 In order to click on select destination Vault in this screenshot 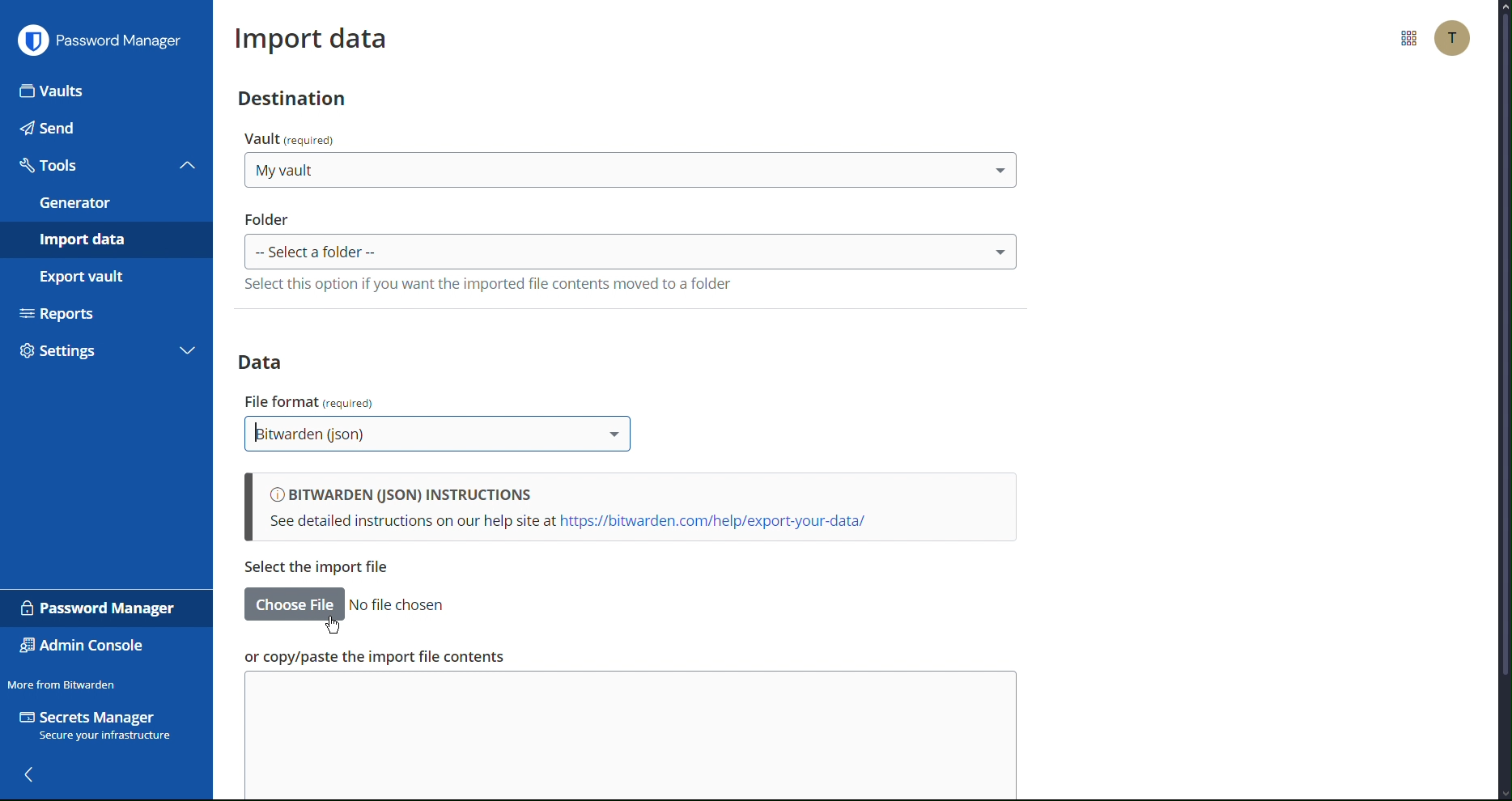, I will do `click(629, 169)`.